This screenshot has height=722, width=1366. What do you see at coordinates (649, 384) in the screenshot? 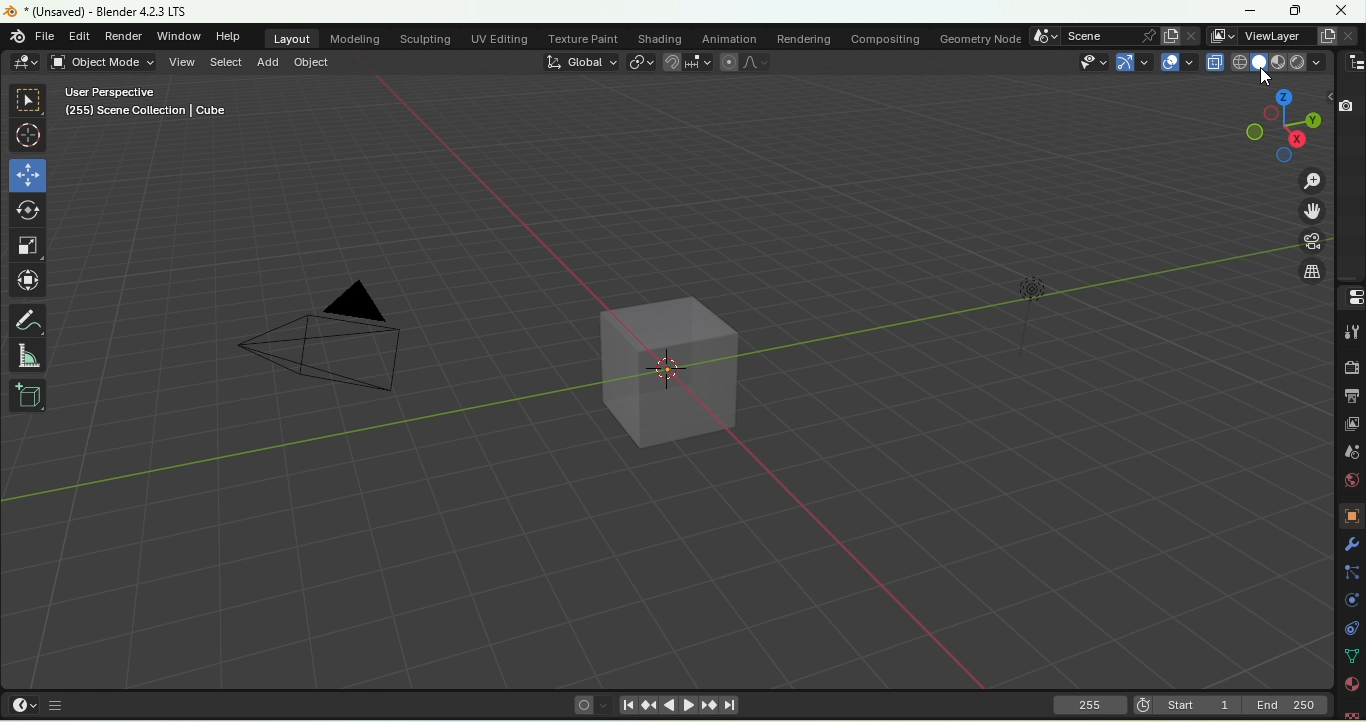
I see `Workspace` at bounding box center [649, 384].